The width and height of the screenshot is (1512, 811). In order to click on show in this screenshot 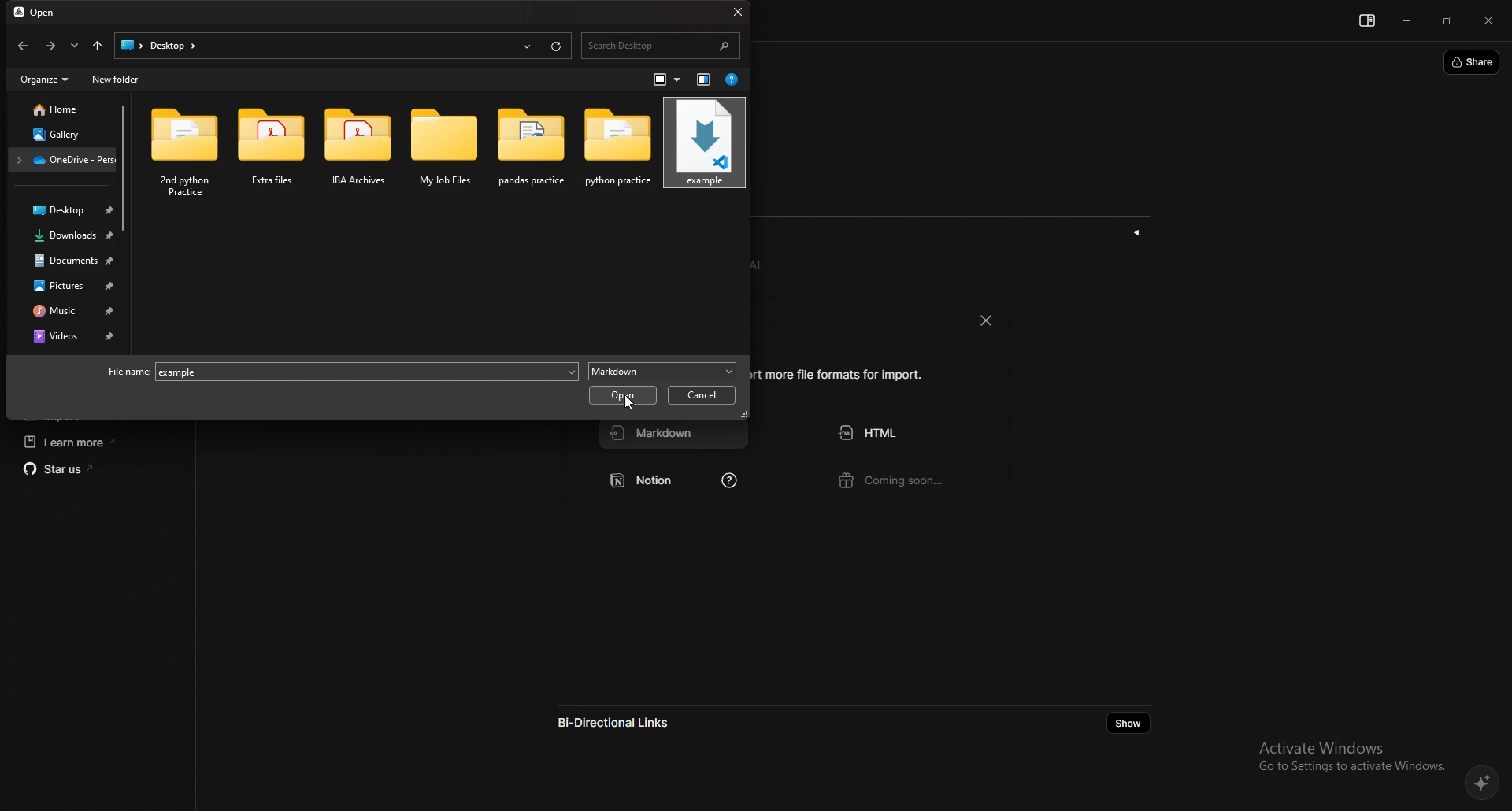, I will do `click(1137, 232)`.